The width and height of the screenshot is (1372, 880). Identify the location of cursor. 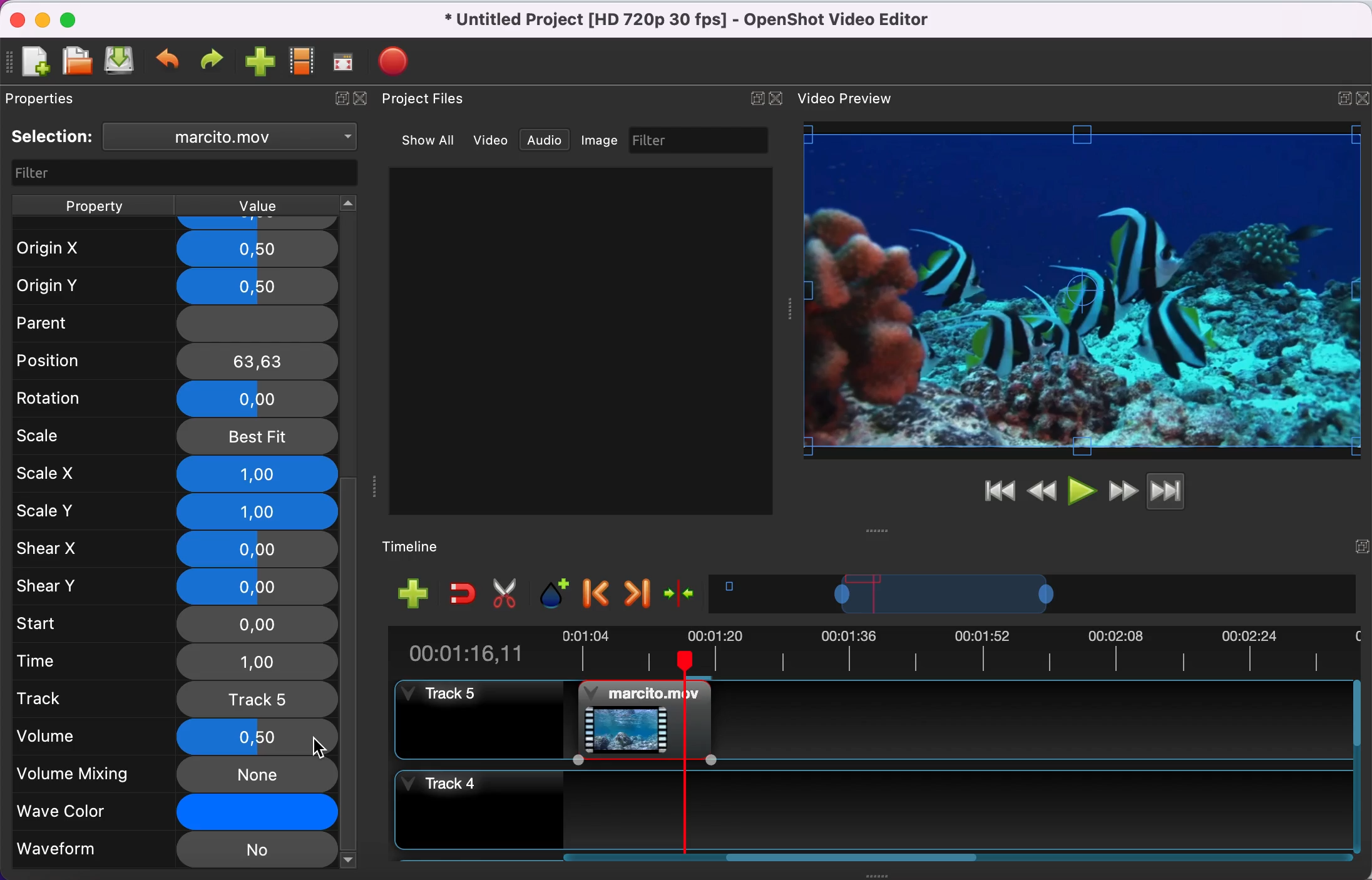
(322, 750).